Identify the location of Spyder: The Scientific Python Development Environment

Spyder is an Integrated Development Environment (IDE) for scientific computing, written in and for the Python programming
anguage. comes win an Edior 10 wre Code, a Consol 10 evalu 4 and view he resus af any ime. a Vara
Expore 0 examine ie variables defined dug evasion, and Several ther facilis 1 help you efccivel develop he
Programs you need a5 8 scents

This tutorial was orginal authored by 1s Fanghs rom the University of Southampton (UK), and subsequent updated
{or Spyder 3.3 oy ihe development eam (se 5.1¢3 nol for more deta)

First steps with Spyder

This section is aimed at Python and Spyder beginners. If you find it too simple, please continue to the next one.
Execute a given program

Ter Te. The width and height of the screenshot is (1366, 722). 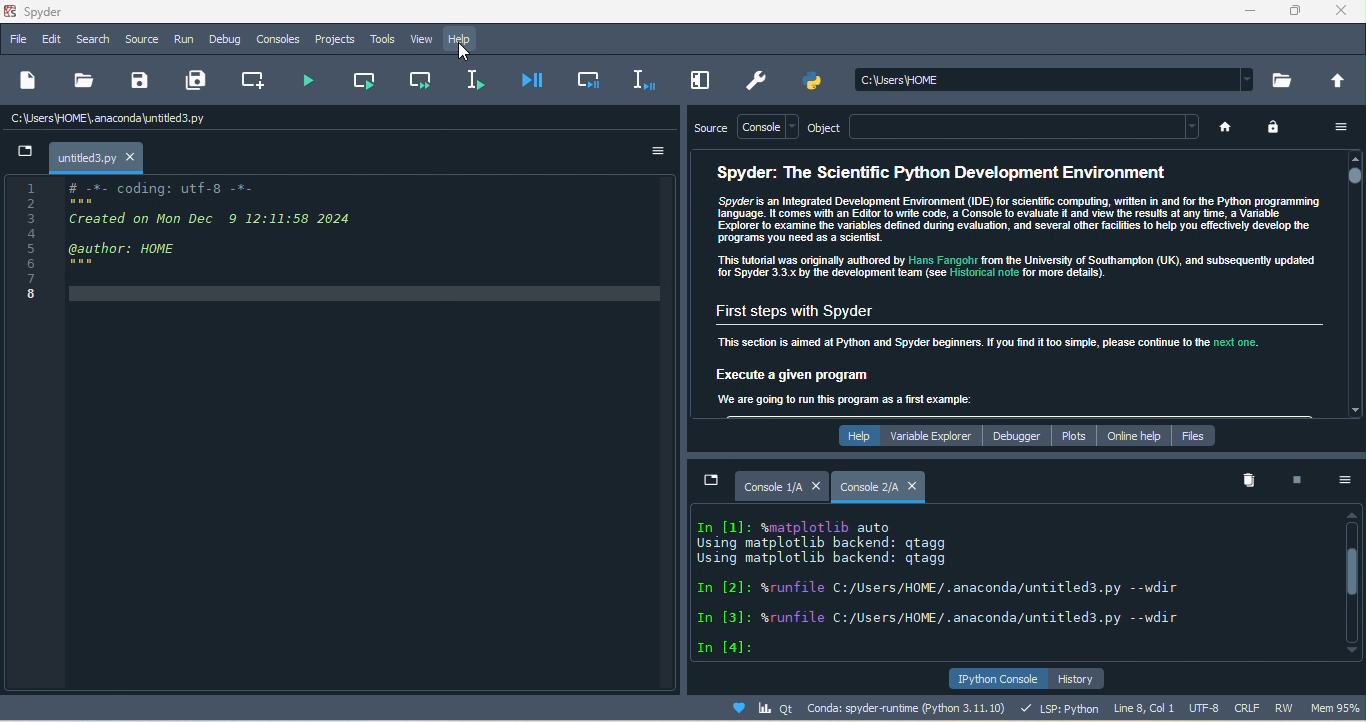
(1010, 283).